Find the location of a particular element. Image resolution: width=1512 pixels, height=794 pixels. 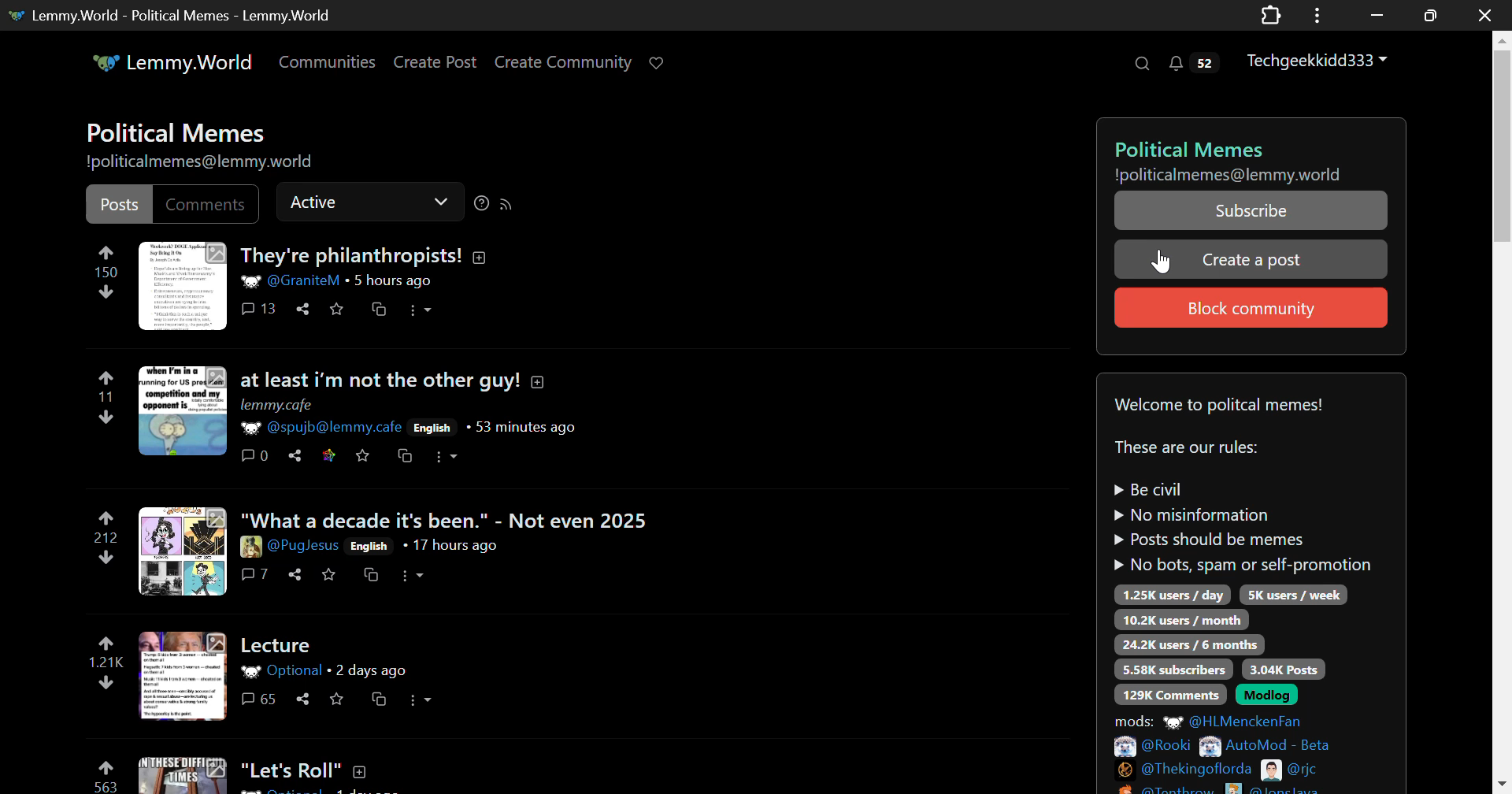

More Options is located at coordinates (419, 701).